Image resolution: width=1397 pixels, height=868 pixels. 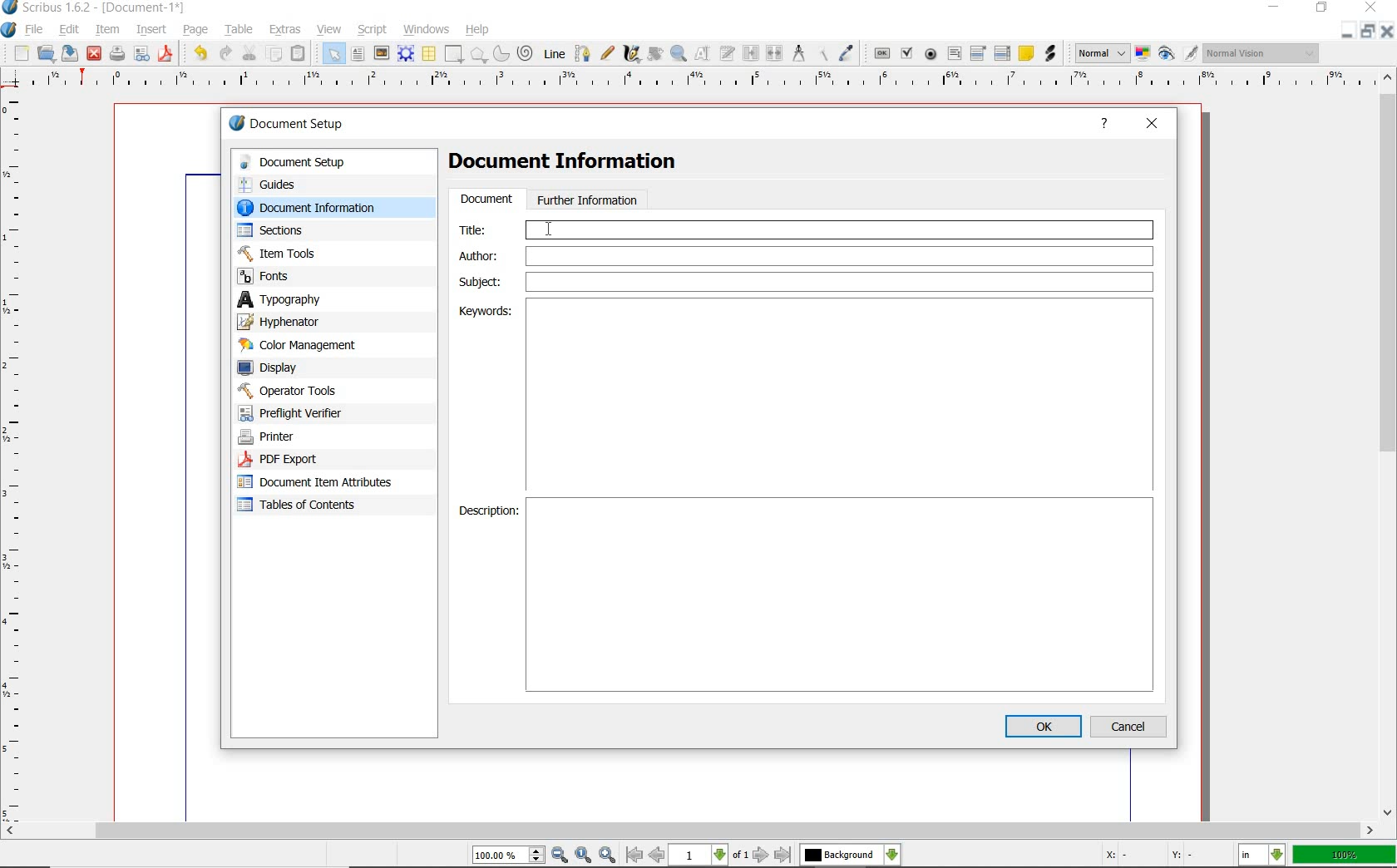 What do you see at coordinates (881, 53) in the screenshot?
I see `pdf push button` at bounding box center [881, 53].